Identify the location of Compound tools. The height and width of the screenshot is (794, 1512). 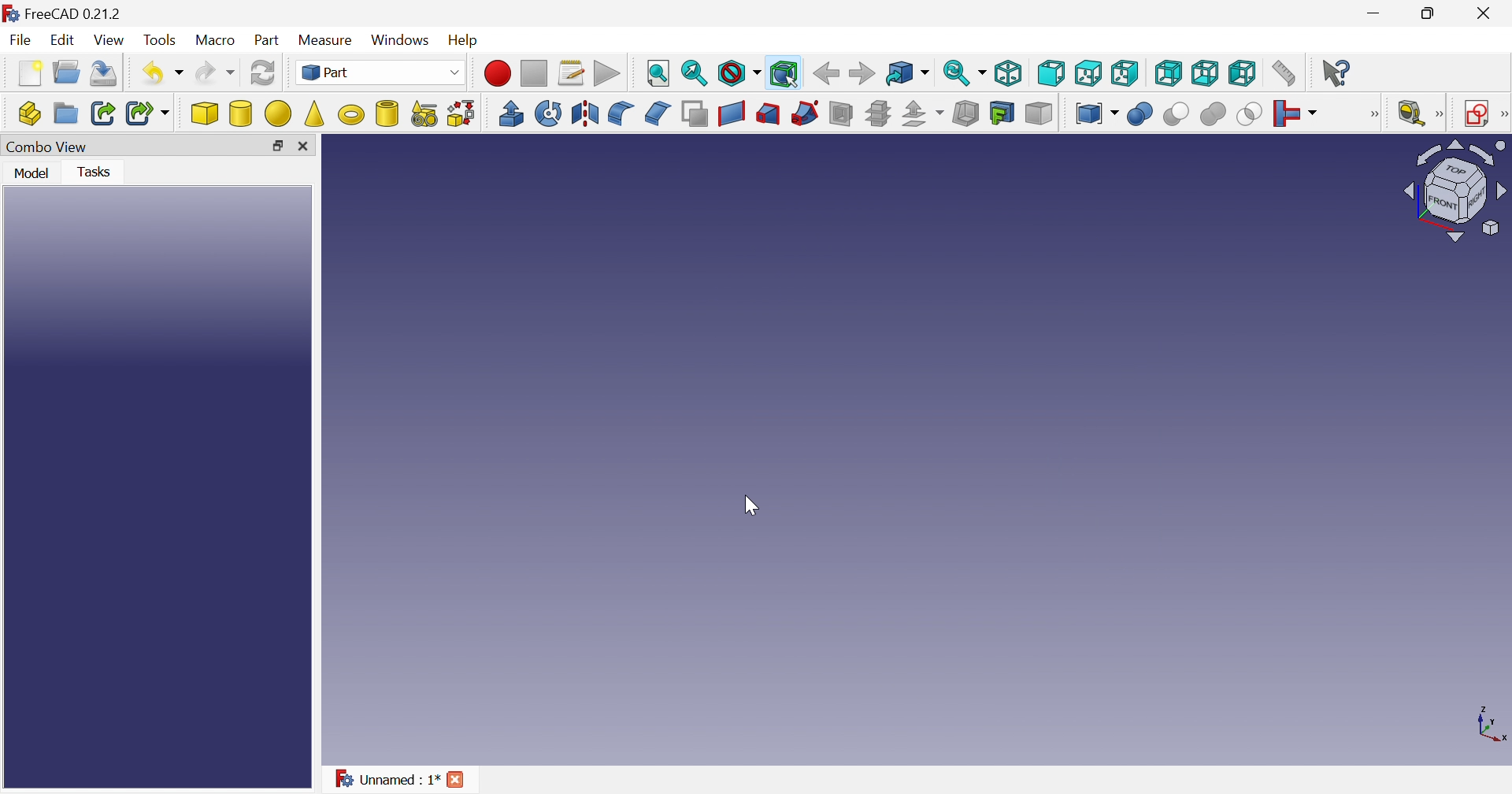
(1096, 113).